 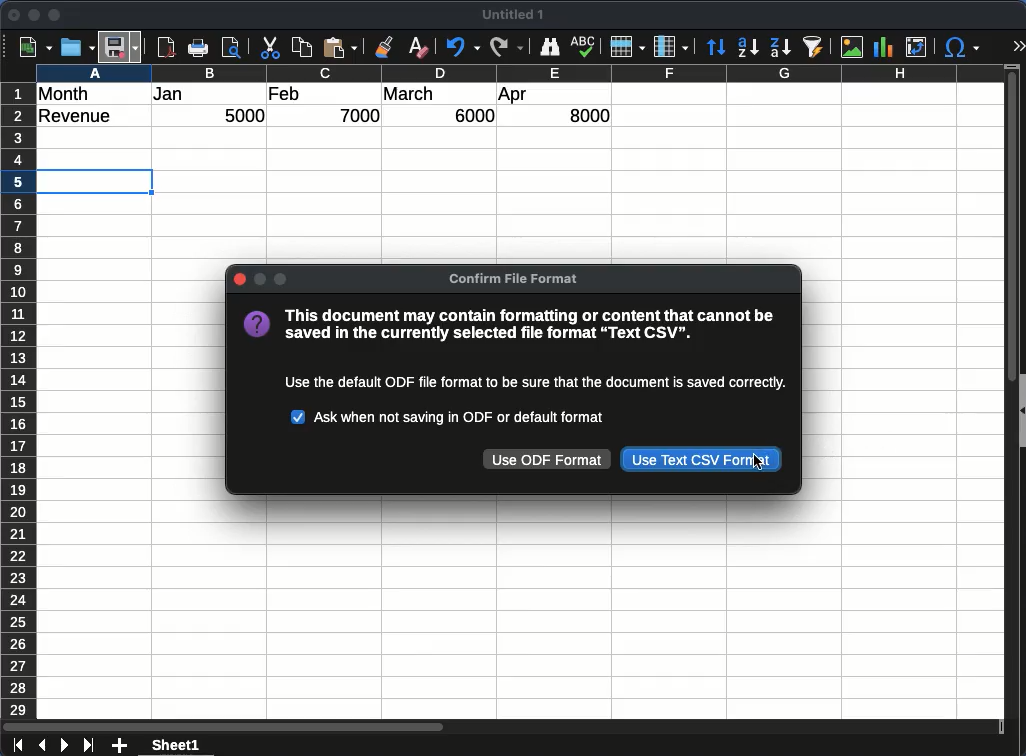 I want to click on special characters, so click(x=962, y=48).